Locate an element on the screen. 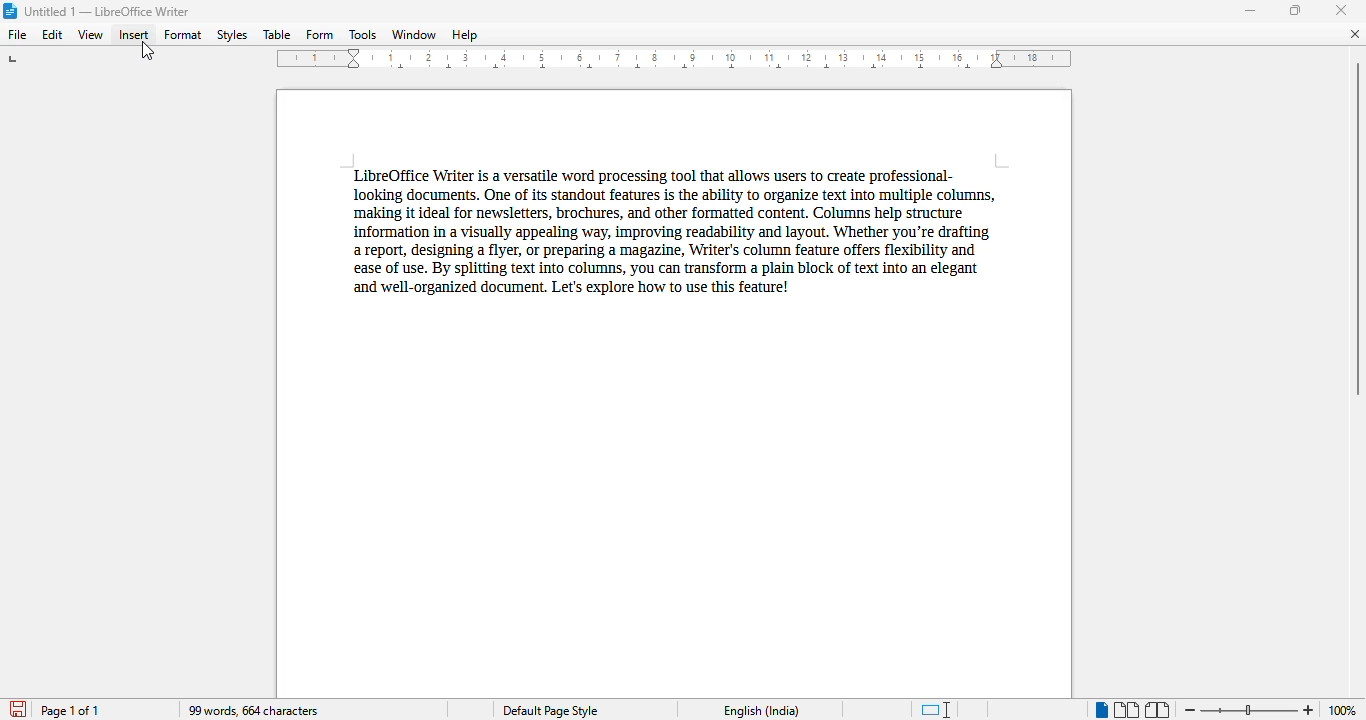  page 1 of 1 is located at coordinates (70, 710).